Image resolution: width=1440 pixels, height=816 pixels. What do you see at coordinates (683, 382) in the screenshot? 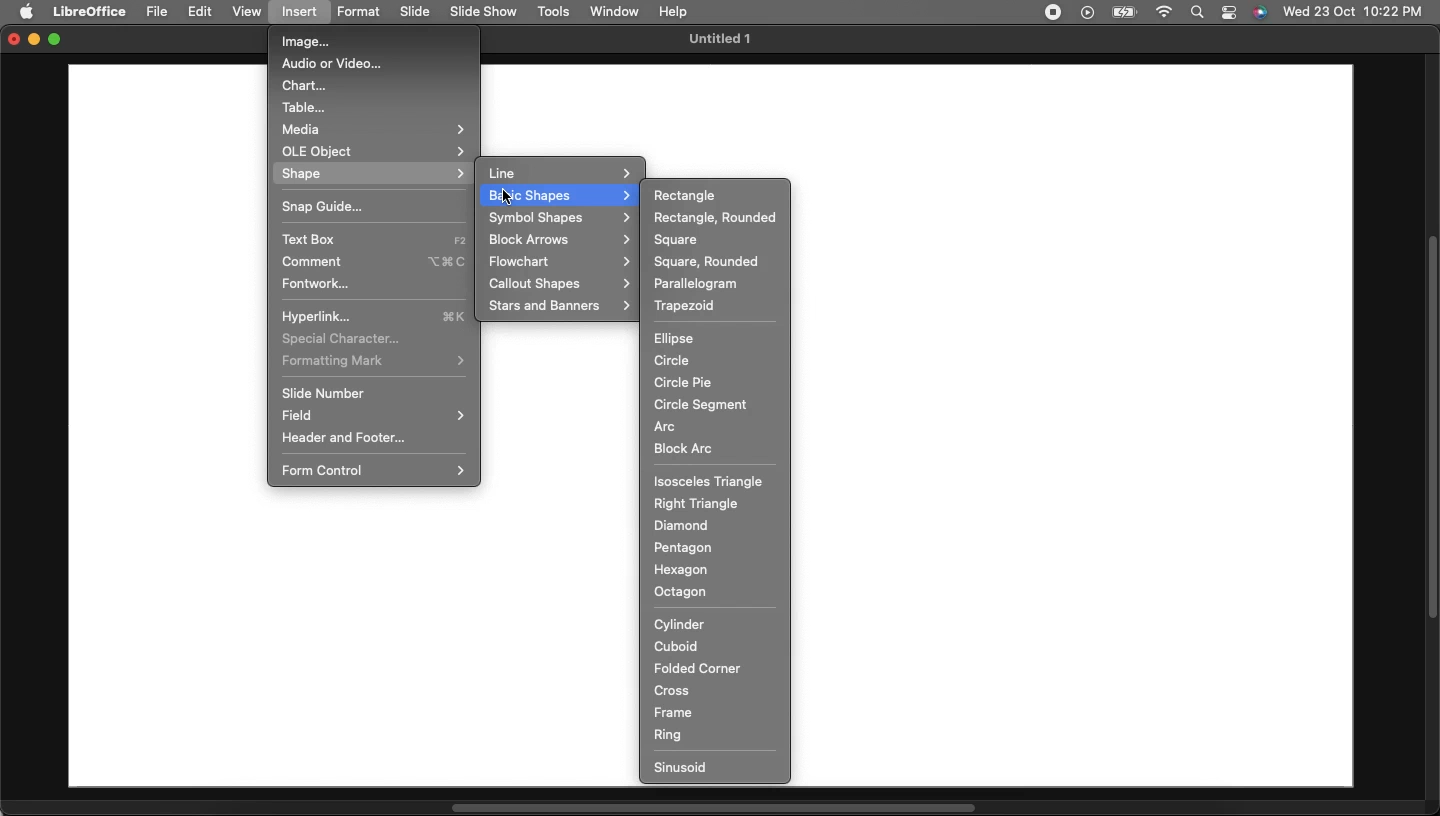
I see `Circle pie` at bounding box center [683, 382].